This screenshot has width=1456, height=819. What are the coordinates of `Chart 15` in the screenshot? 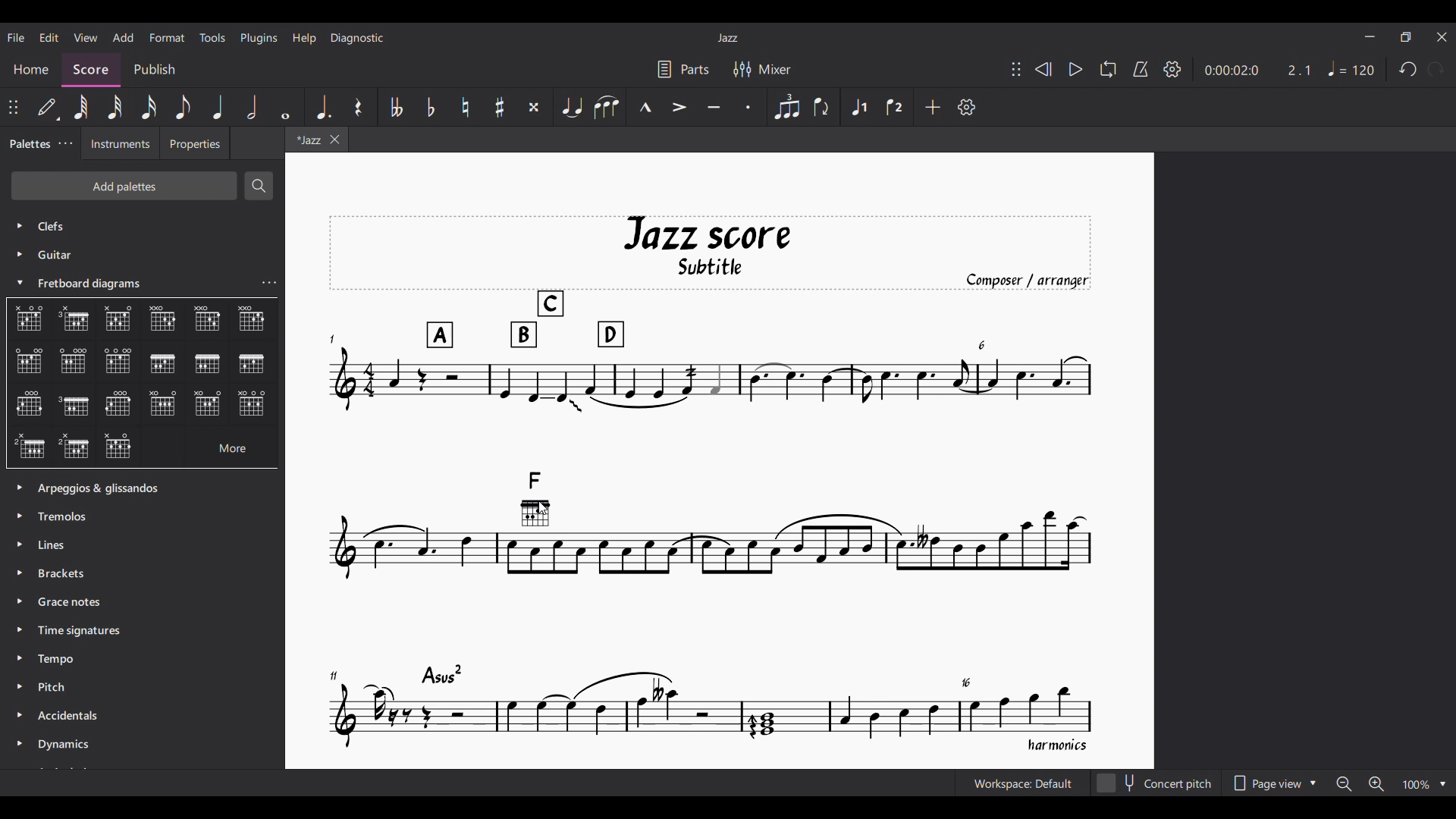 It's located at (168, 406).